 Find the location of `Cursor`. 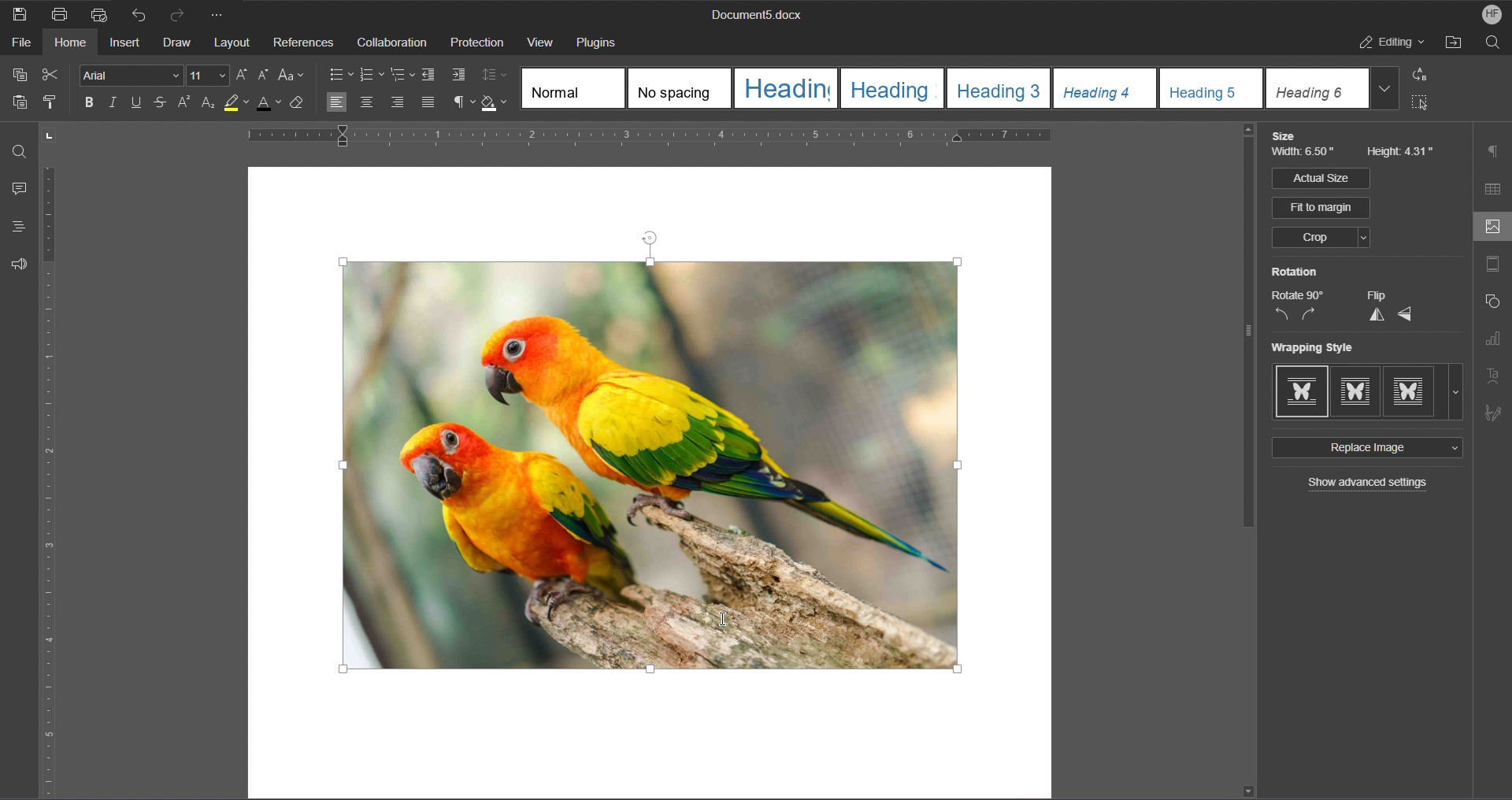

Cursor is located at coordinates (725, 624).